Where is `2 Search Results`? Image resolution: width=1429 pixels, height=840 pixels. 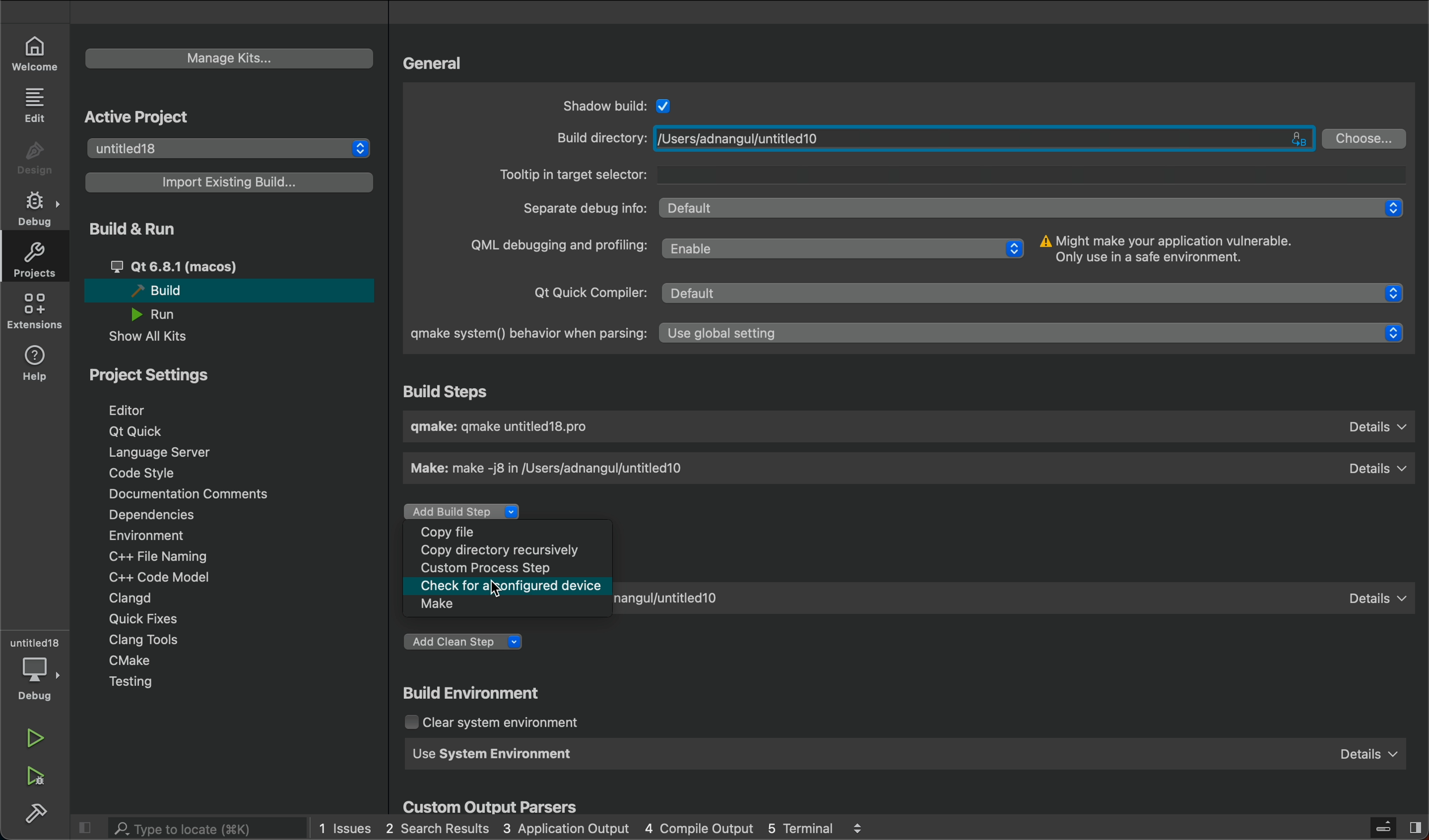
2 Search Results is located at coordinates (437, 827).